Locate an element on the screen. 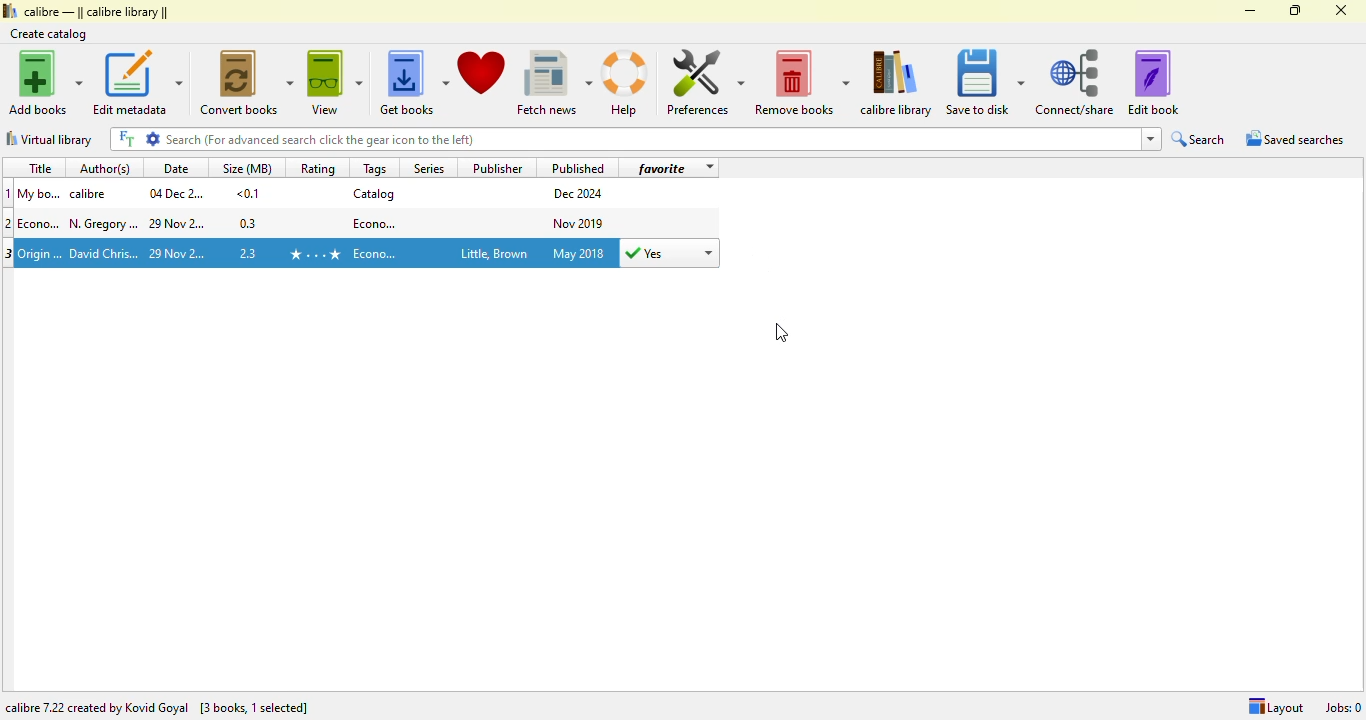 The image size is (1366, 720). size(MB) is located at coordinates (246, 167).